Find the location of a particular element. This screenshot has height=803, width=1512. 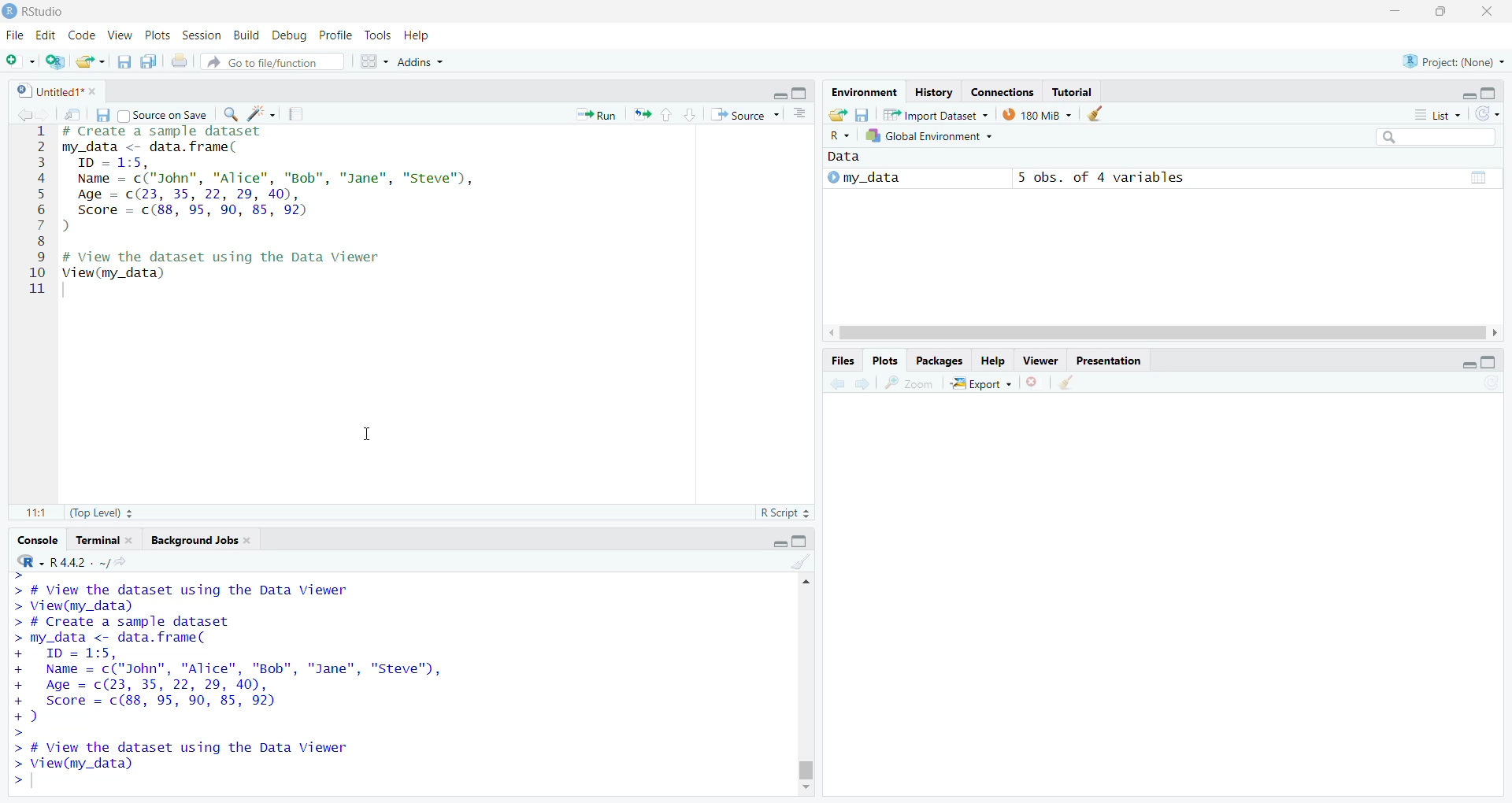

Rstudio is located at coordinates (34, 11).